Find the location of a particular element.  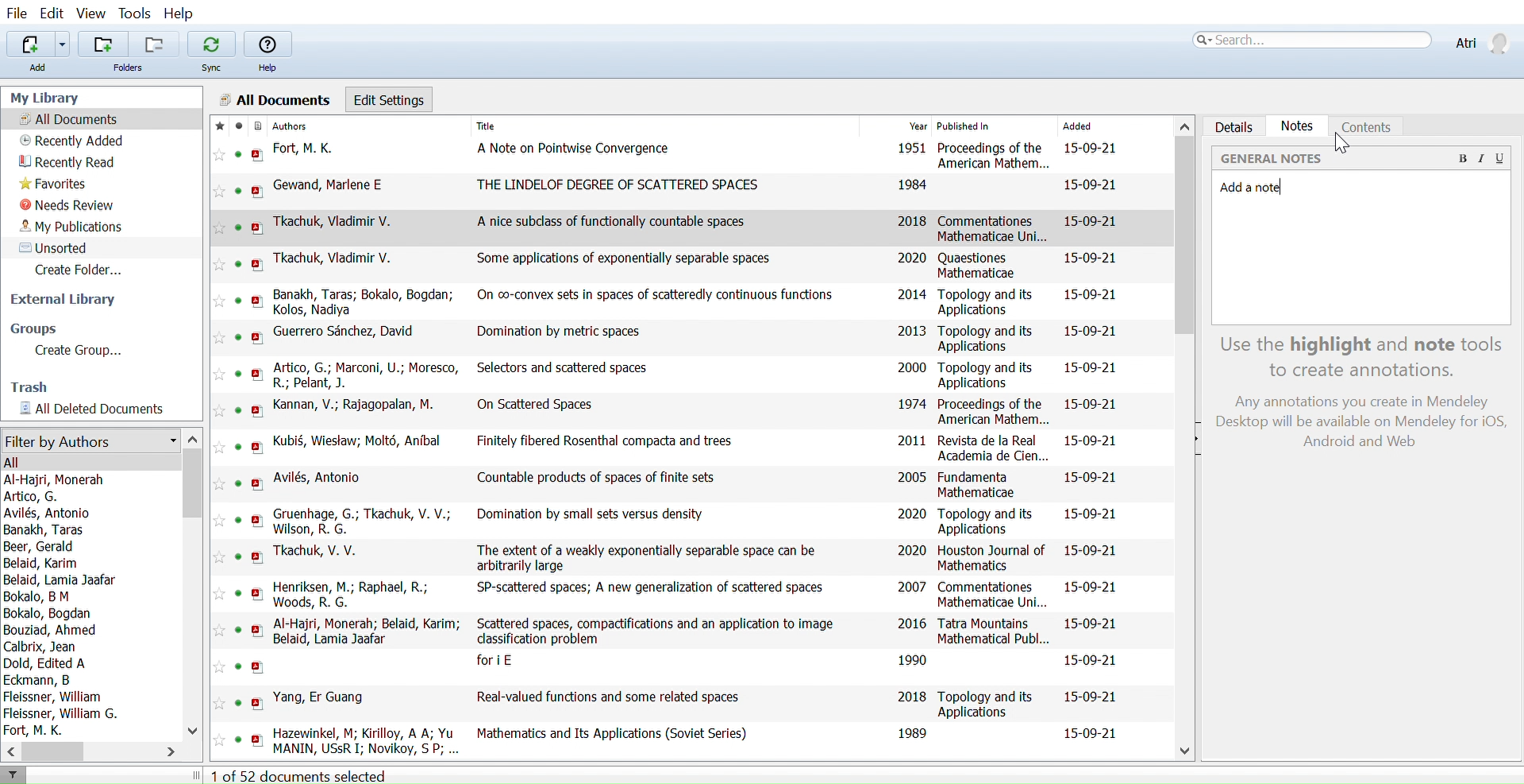

Topology and its Applications is located at coordinates (985, 704).